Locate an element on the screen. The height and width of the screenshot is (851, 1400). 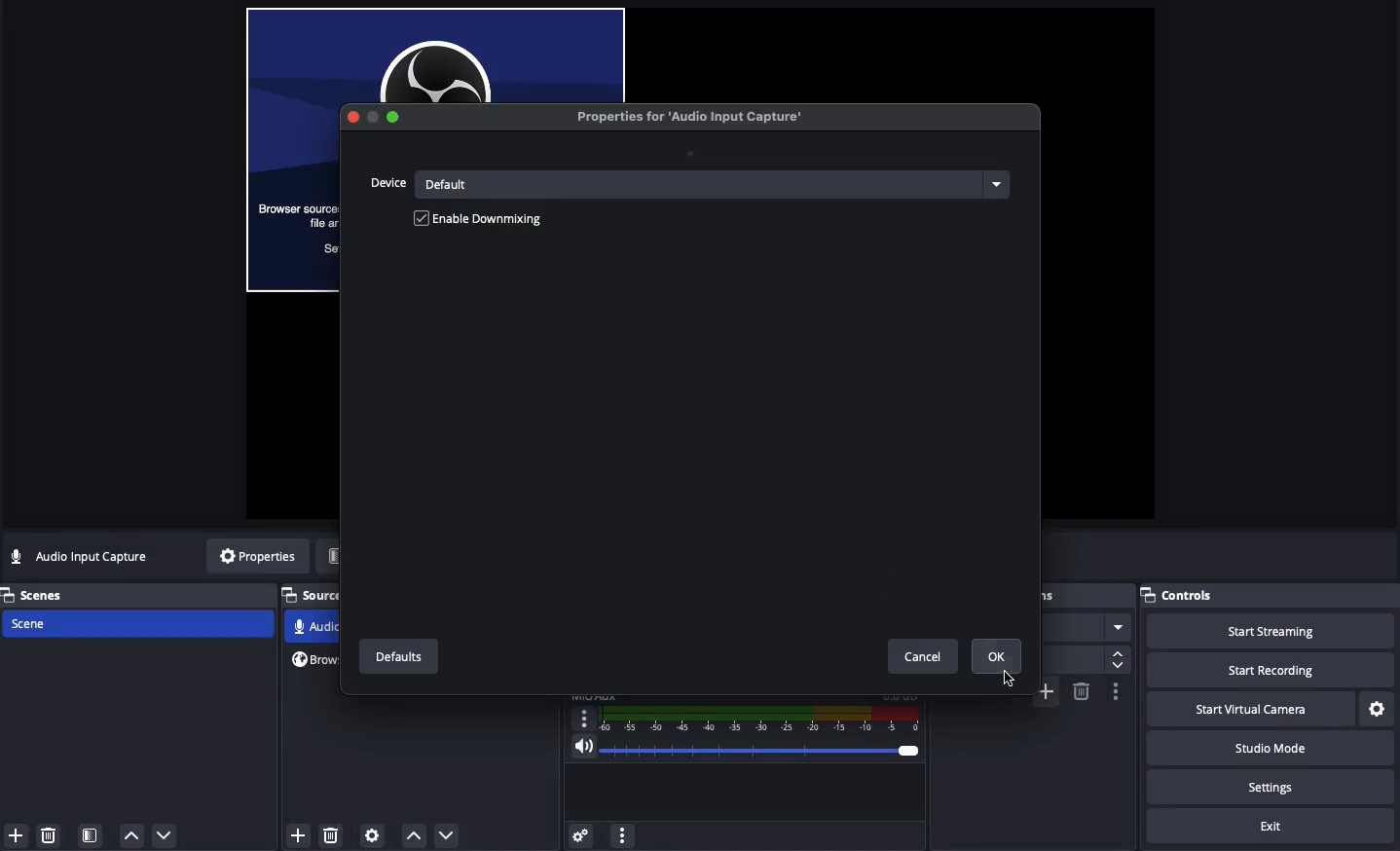
Defaults is located at coordinates (397, 657).